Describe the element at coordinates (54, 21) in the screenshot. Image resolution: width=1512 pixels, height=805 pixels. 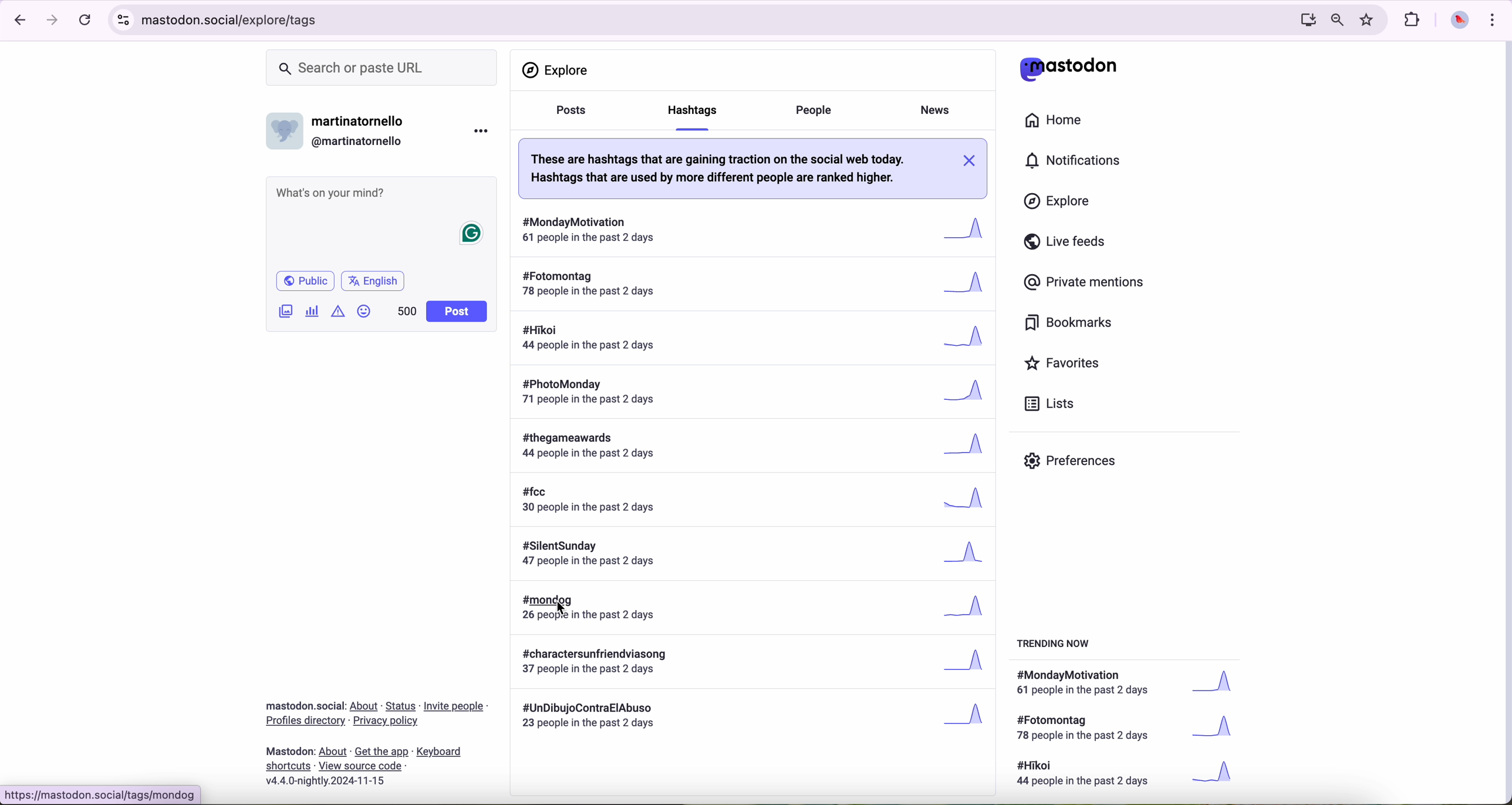
I see `navigate foward` at that location.